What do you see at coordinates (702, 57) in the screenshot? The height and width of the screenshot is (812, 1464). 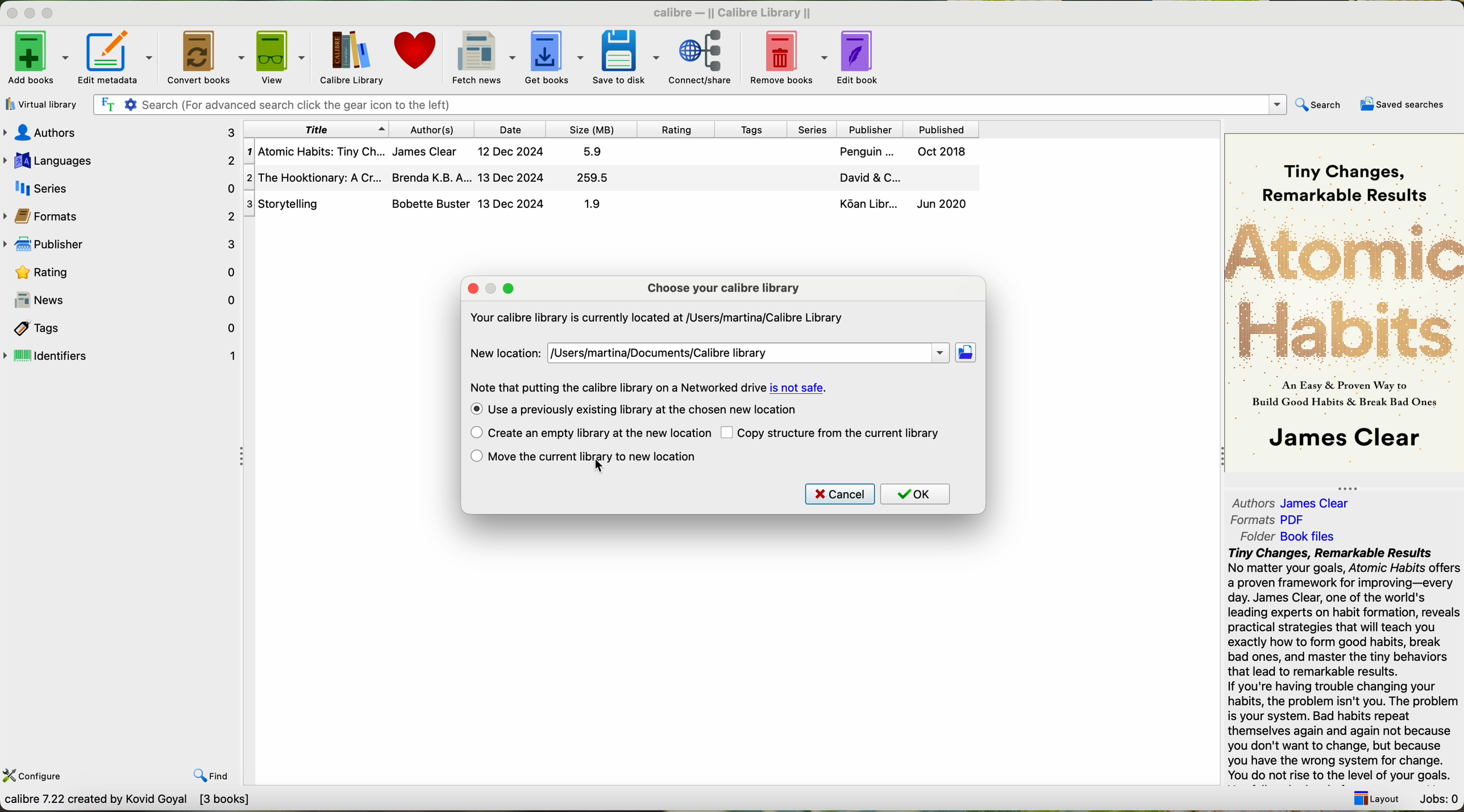 I see `connect/share` at bounding box center [702, 57].